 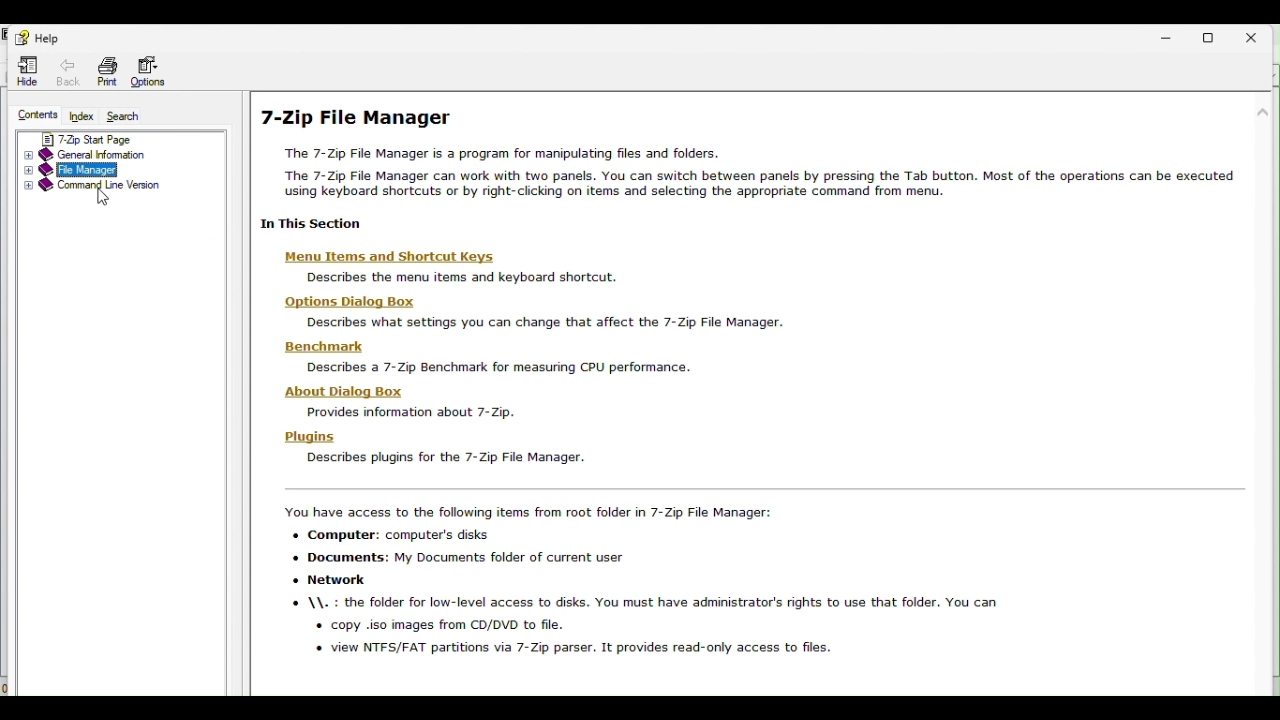 I want to click on options dialog box, so click(x=346, y=300).